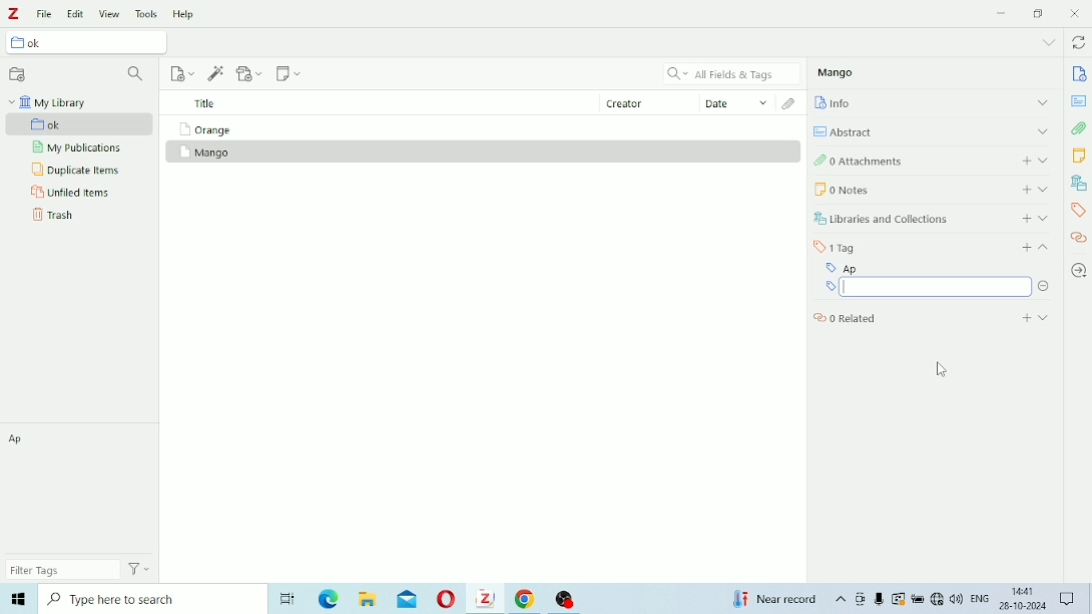  What do you see at coordinates (932, 189) in the screenshot?
I see `Notes` at bounding box center [932, 189].